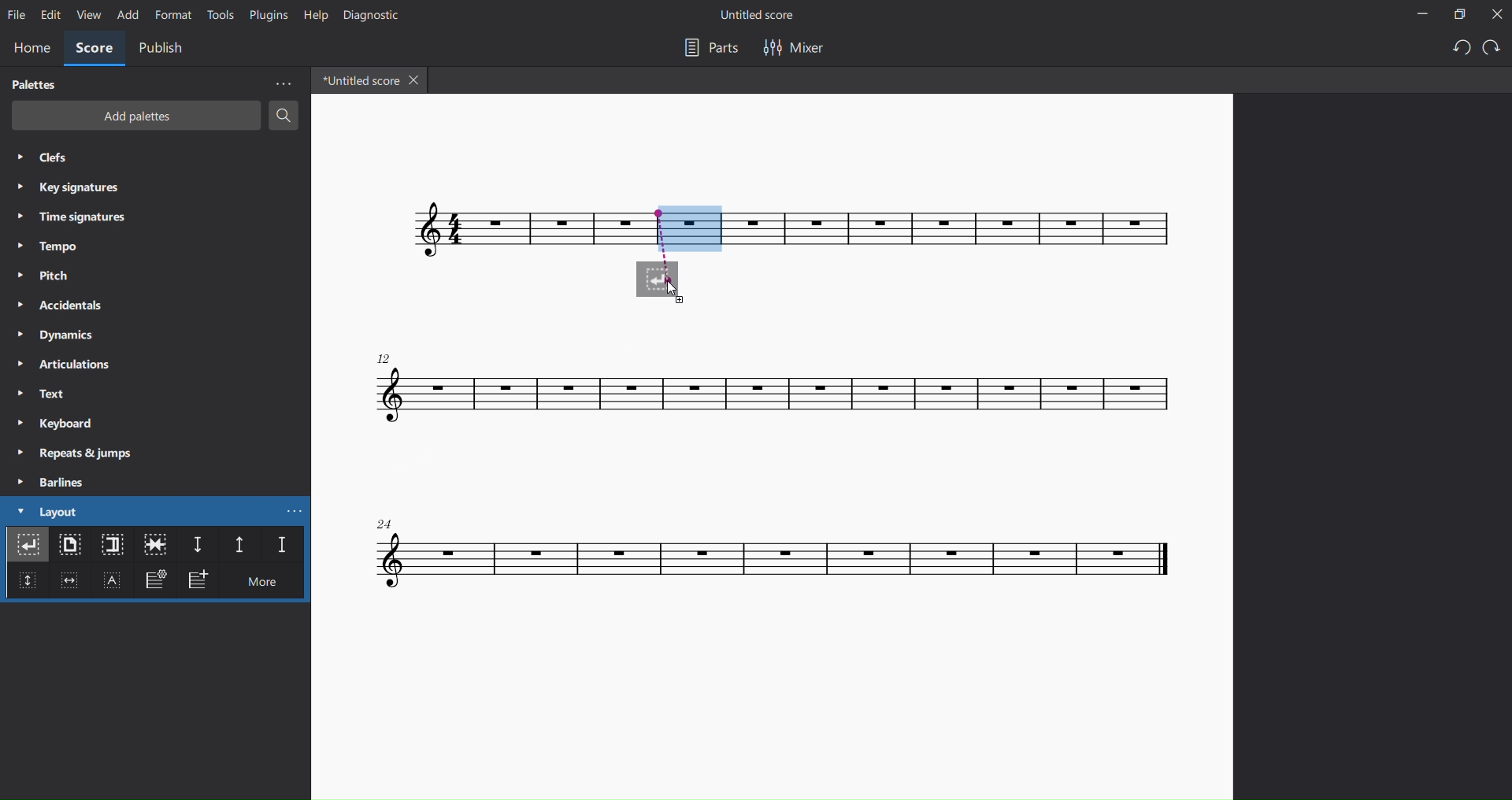  I want to click on accidentals, so click(57, 304).